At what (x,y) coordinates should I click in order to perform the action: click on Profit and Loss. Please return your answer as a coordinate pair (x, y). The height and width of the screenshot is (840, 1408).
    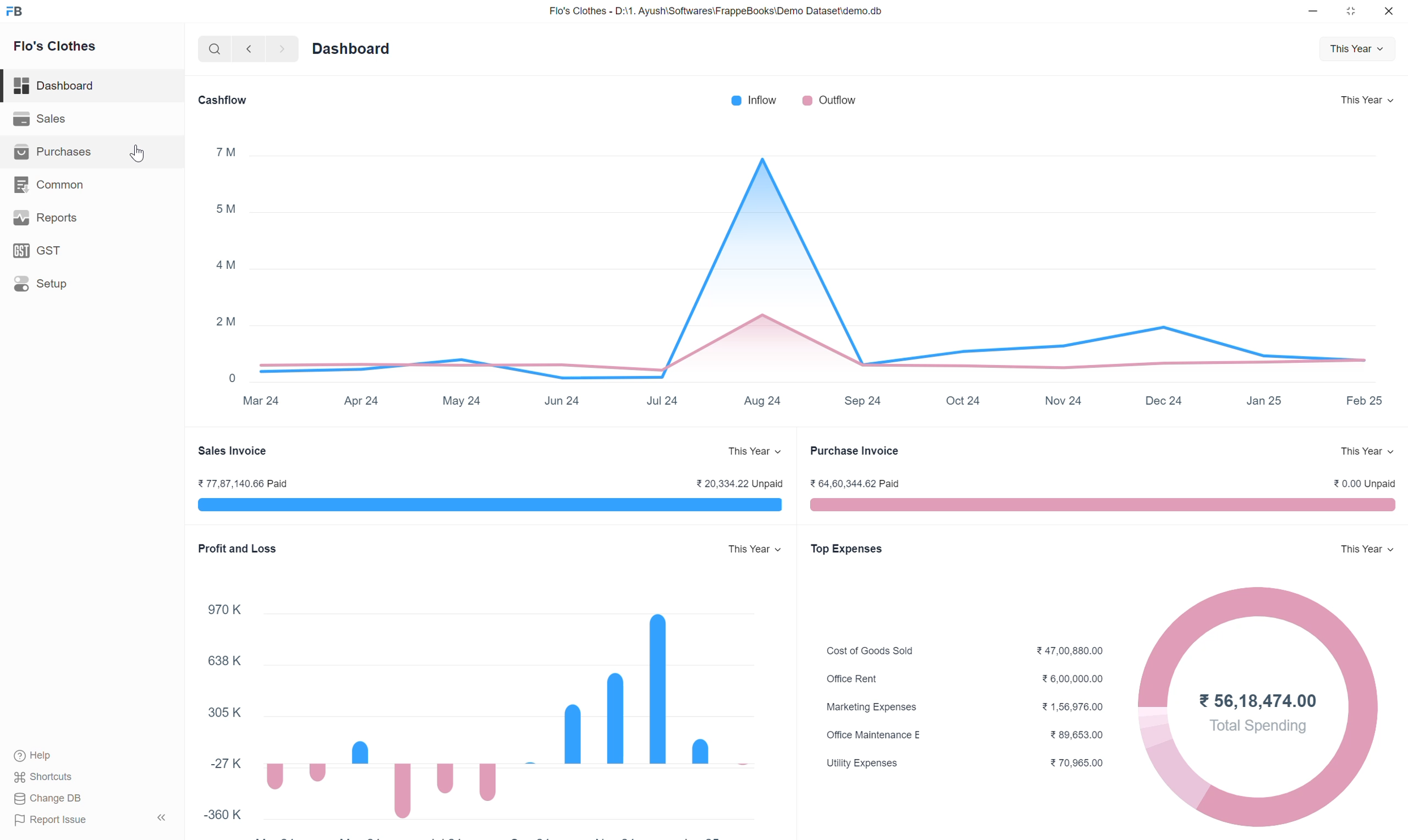
    Looking at the image, I should click on (239, 548).